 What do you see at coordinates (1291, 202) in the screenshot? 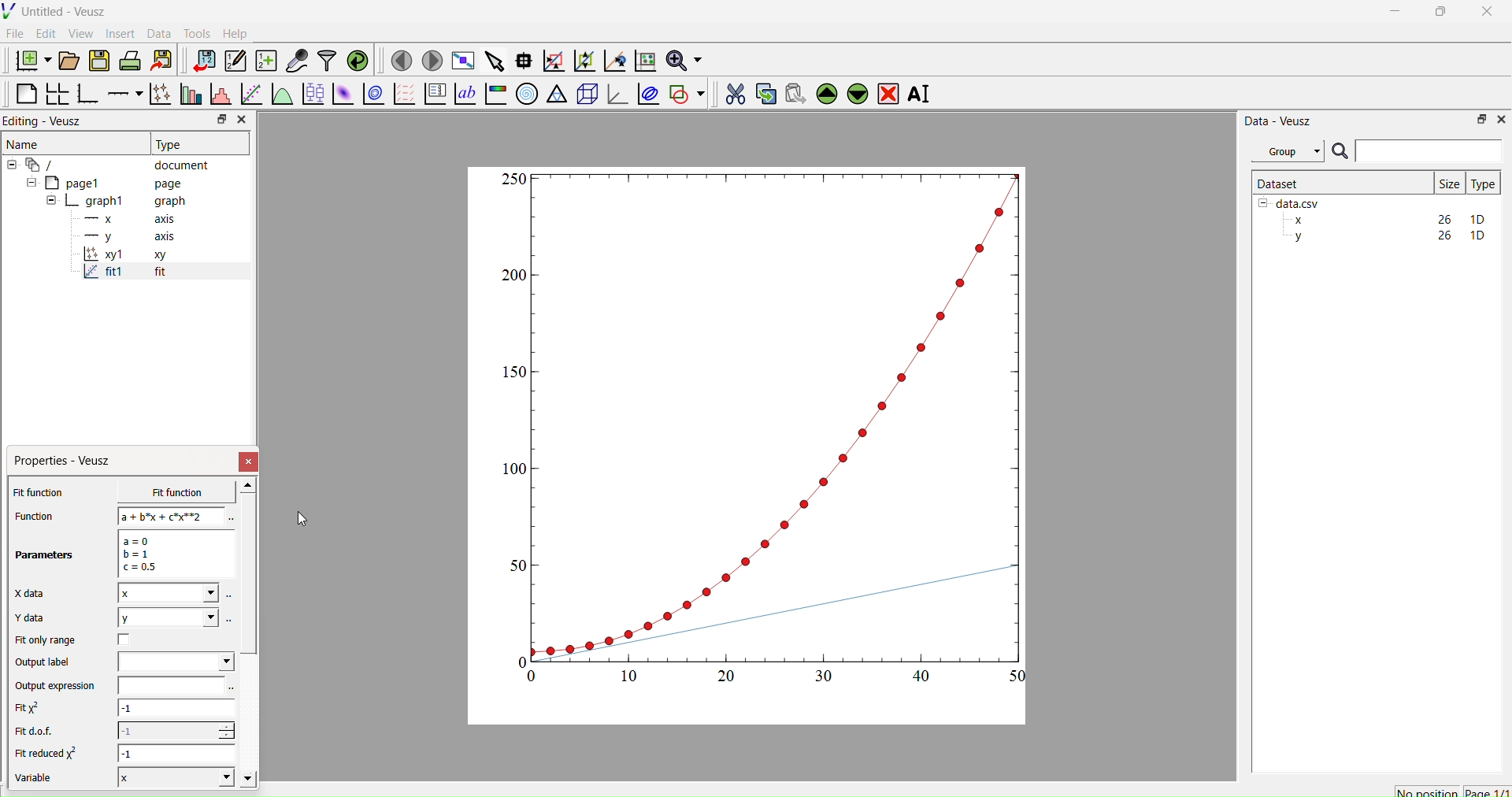
I see `data.csv` at bounding box center [1291, 202].